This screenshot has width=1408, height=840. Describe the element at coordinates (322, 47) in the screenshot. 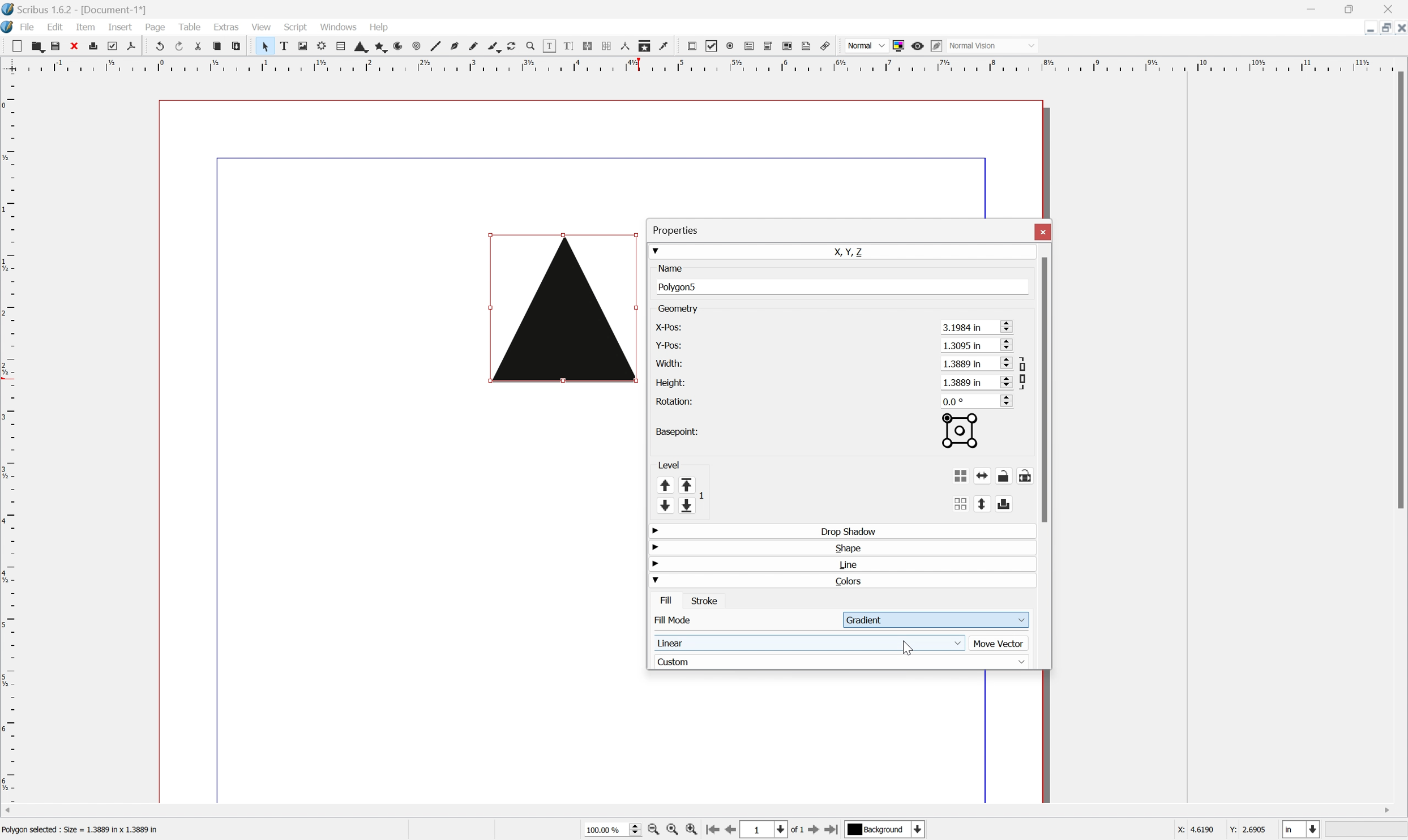

I see `Render frame` at that location.